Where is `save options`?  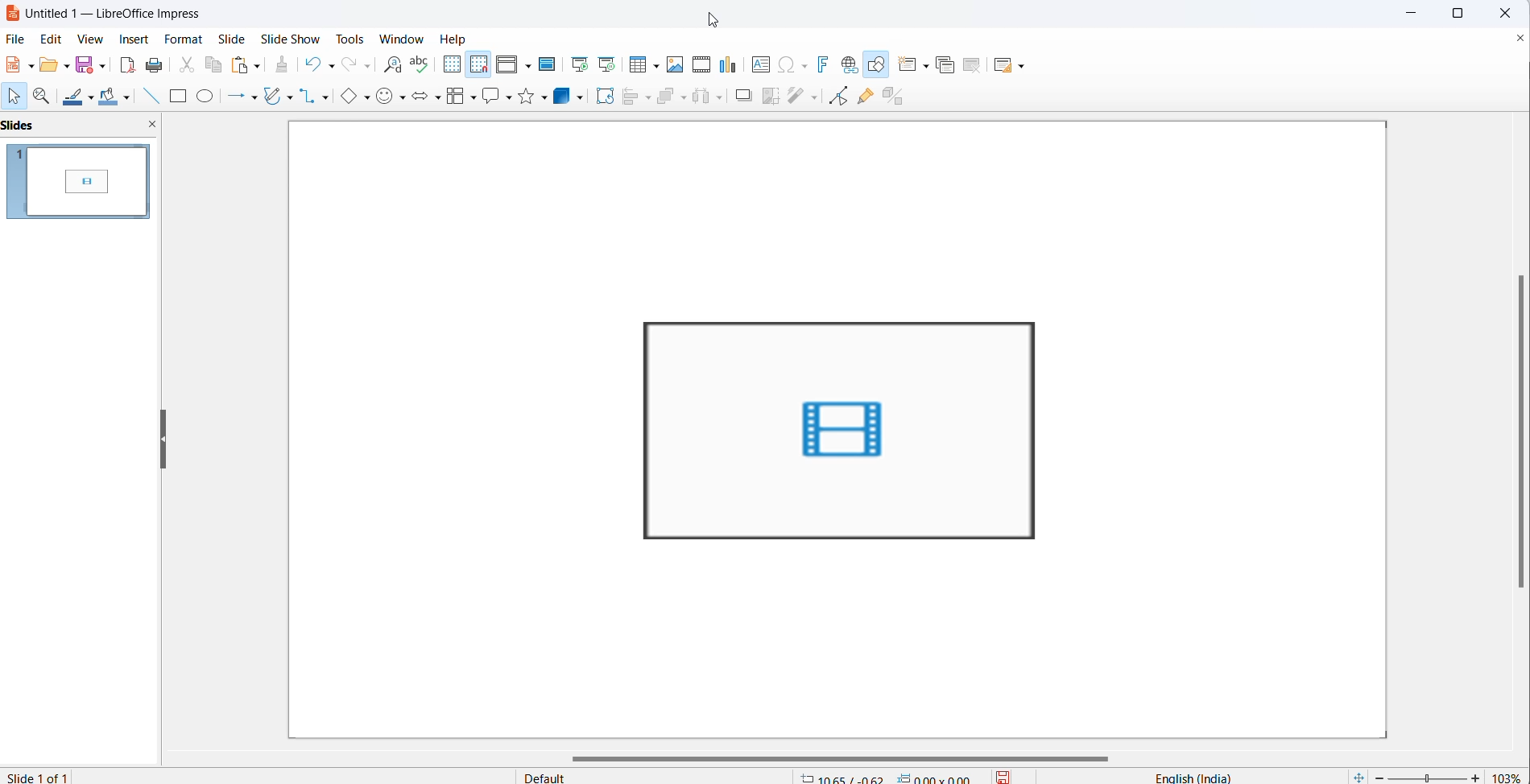 save options is located at coordinates (100, 68).